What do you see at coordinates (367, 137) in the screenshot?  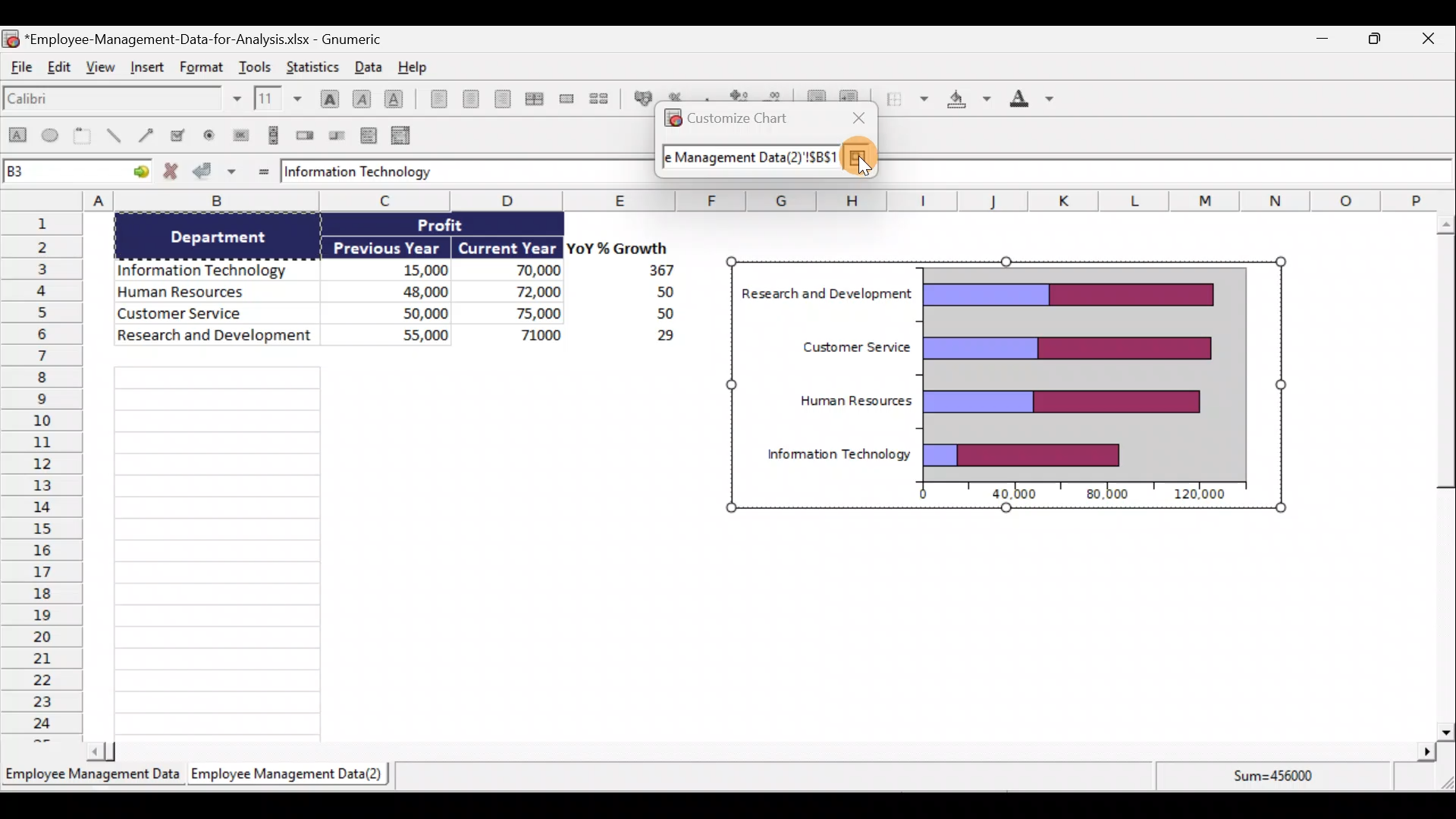 I see `Create a list` at bounding box center [367, 137].